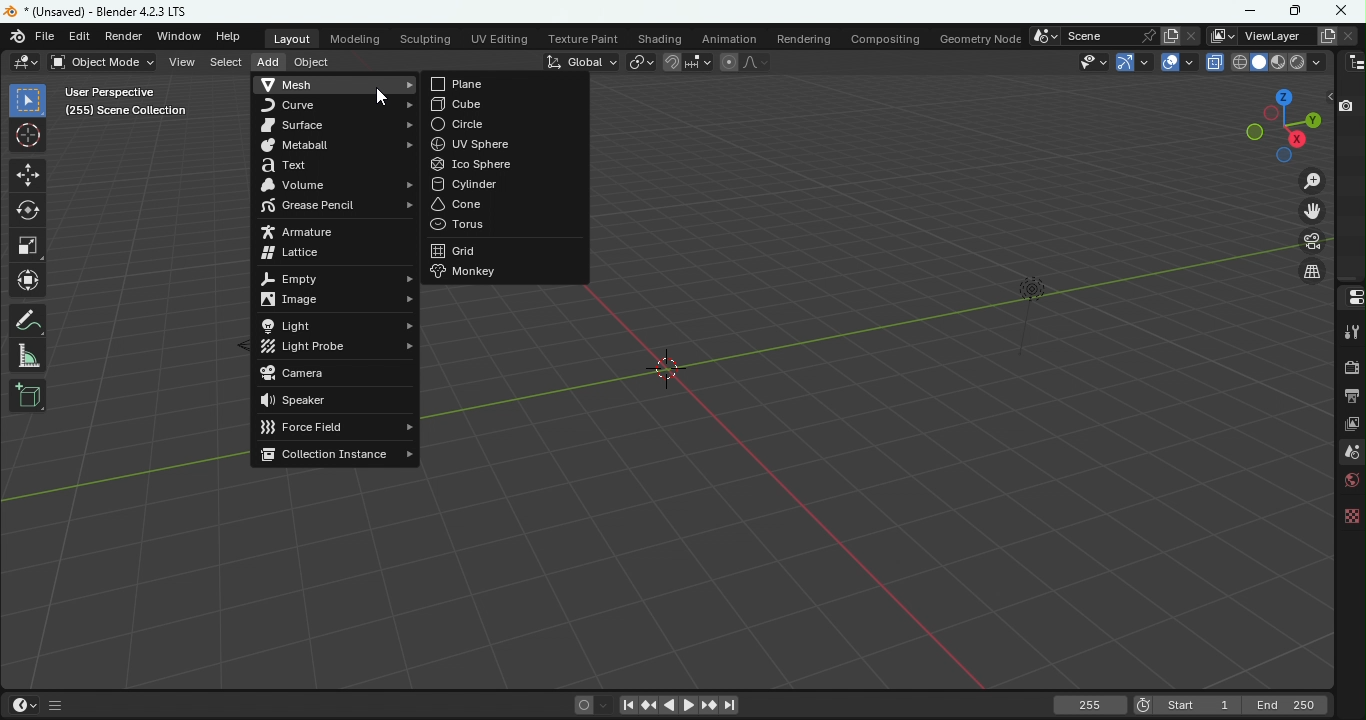 The image size is (1366, 720). What do you see at coordinates (1091, 62) in the screenshot?
I see `Selectability and visibility` at bounding box center [1091, 62].